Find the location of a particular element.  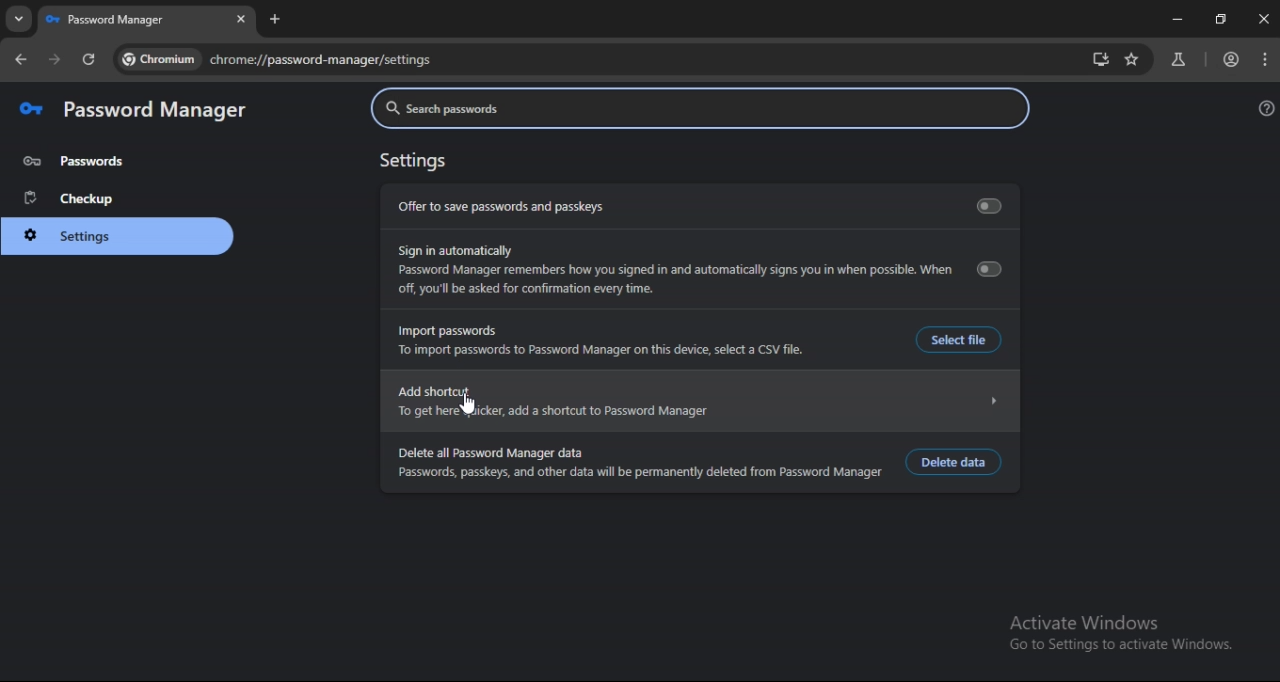

menu is located at coordinates (1264, 60).